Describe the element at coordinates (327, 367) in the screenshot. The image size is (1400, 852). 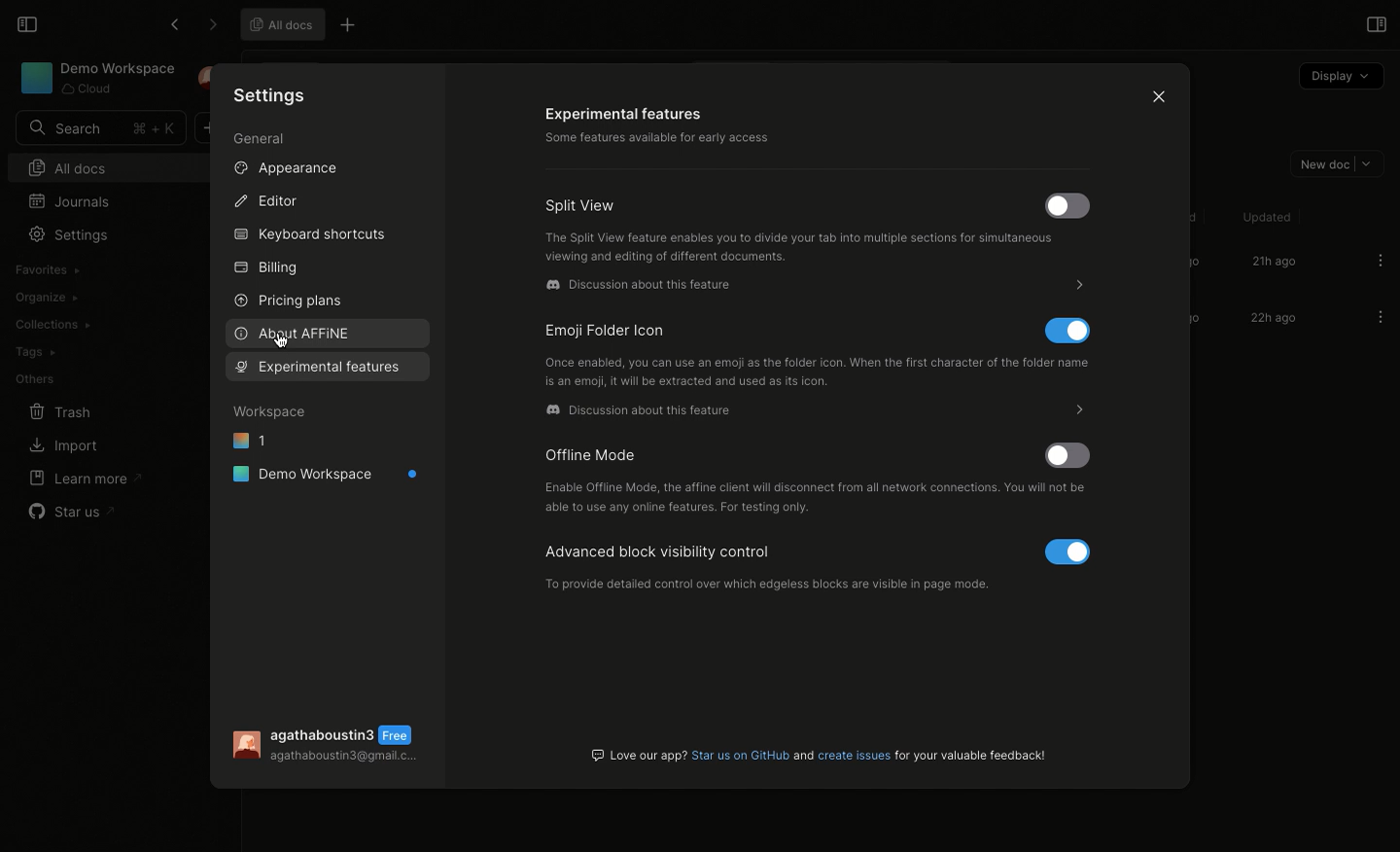
I see `Selecting features` at that location.